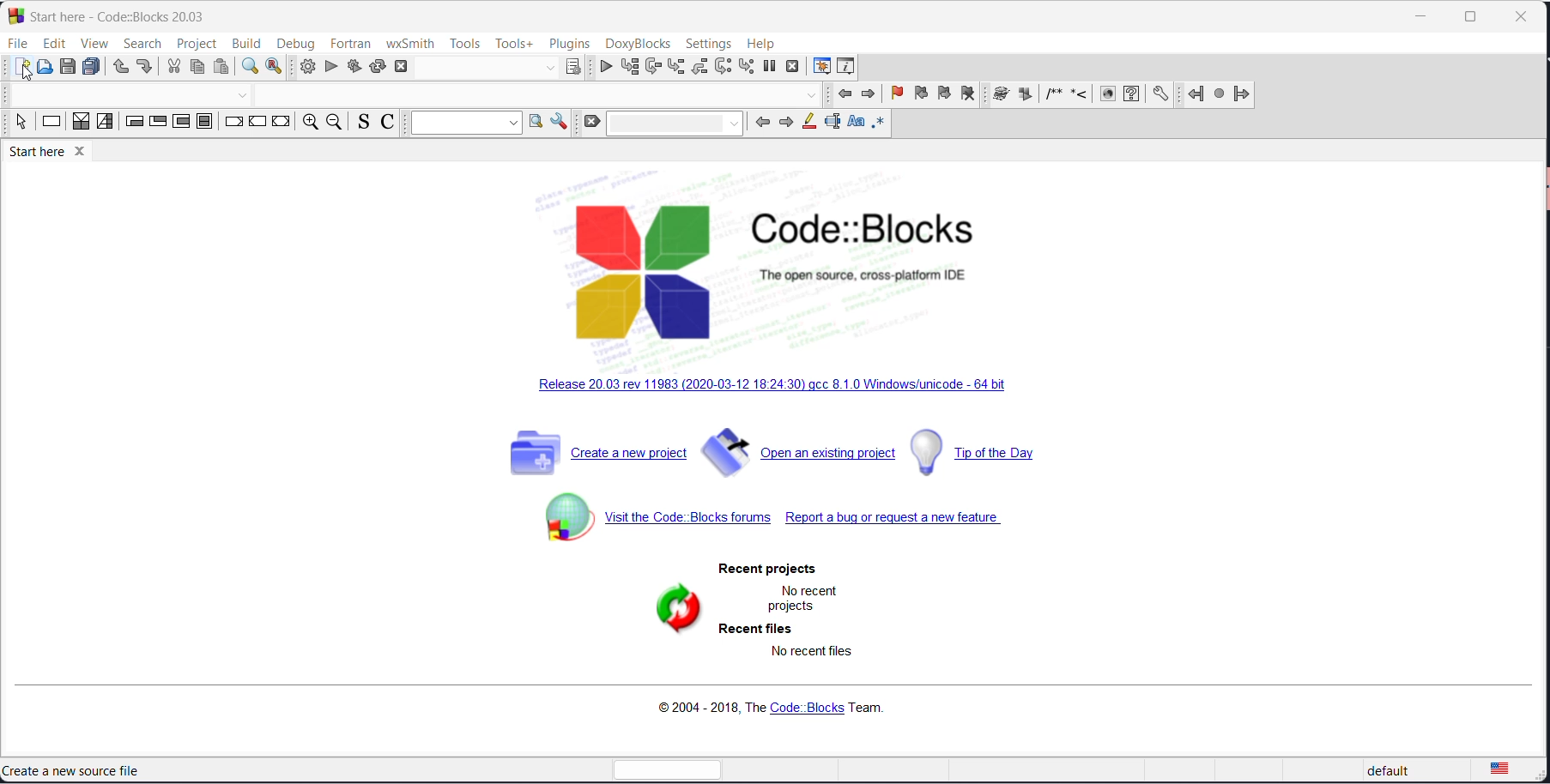  What do you see at coordinates (200, 67) in the screenshot?
I see `copy` at bounding box center [200, 67].